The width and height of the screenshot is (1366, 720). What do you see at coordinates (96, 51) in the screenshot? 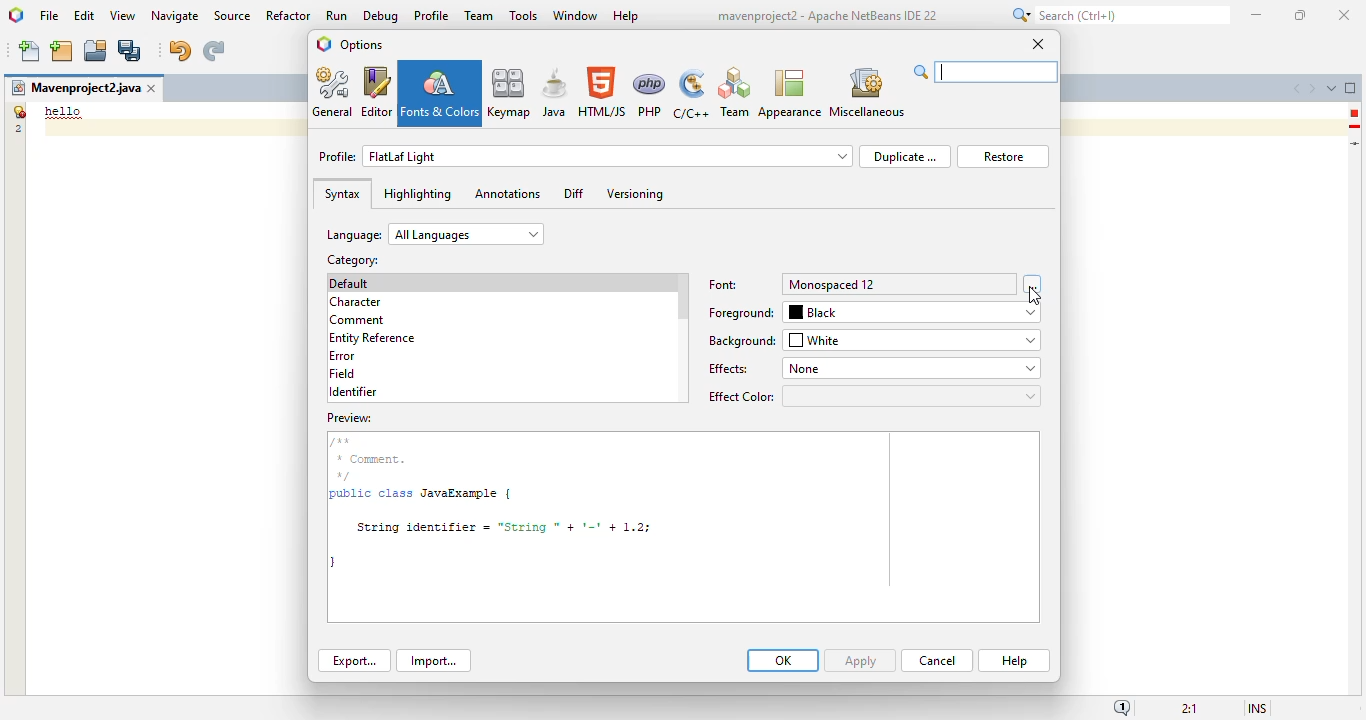
I see `open project` at bounding box center [96, 51].